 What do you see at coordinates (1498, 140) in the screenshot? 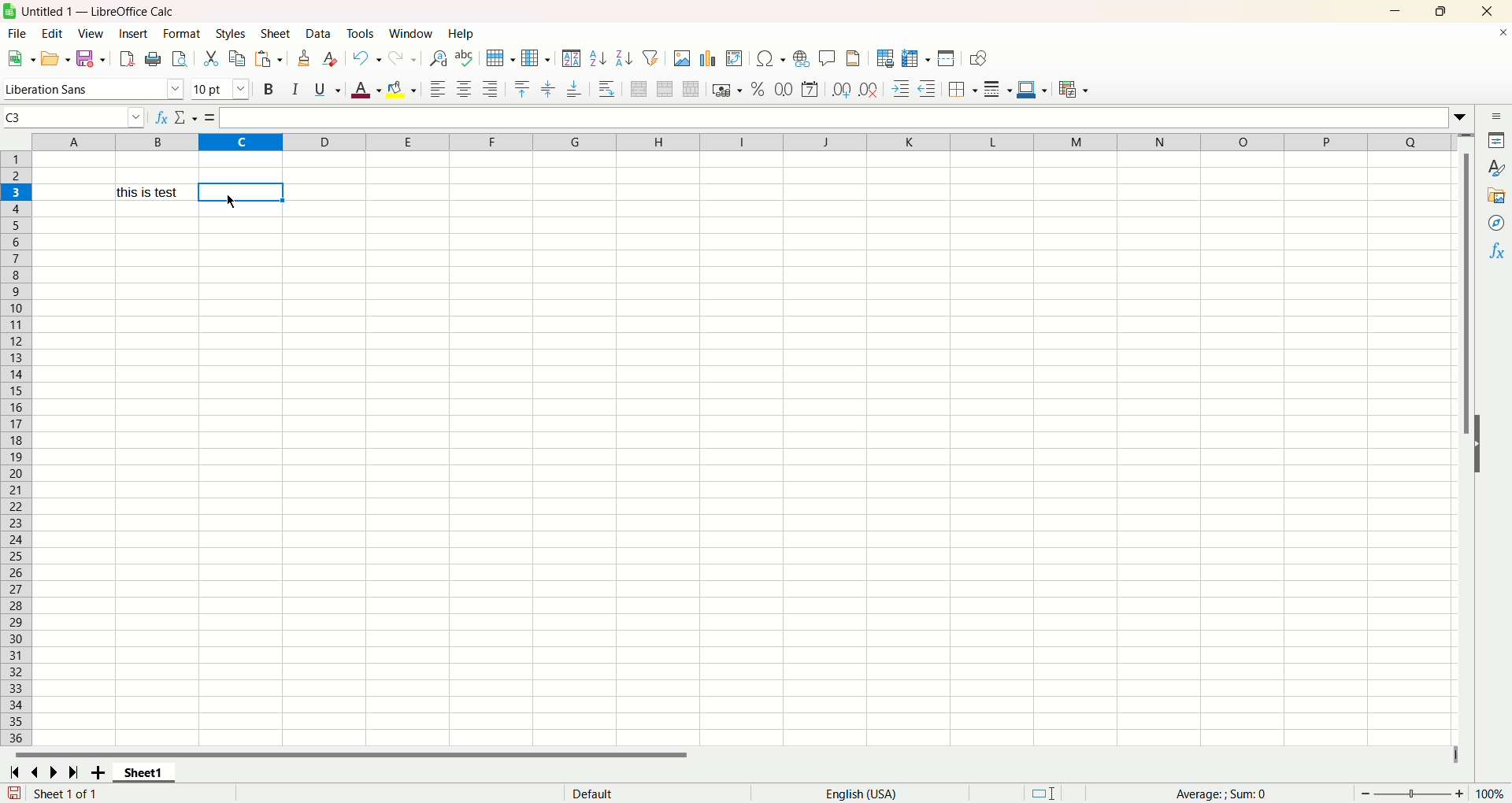
I see `properties` at bounding box center [1498, 140].